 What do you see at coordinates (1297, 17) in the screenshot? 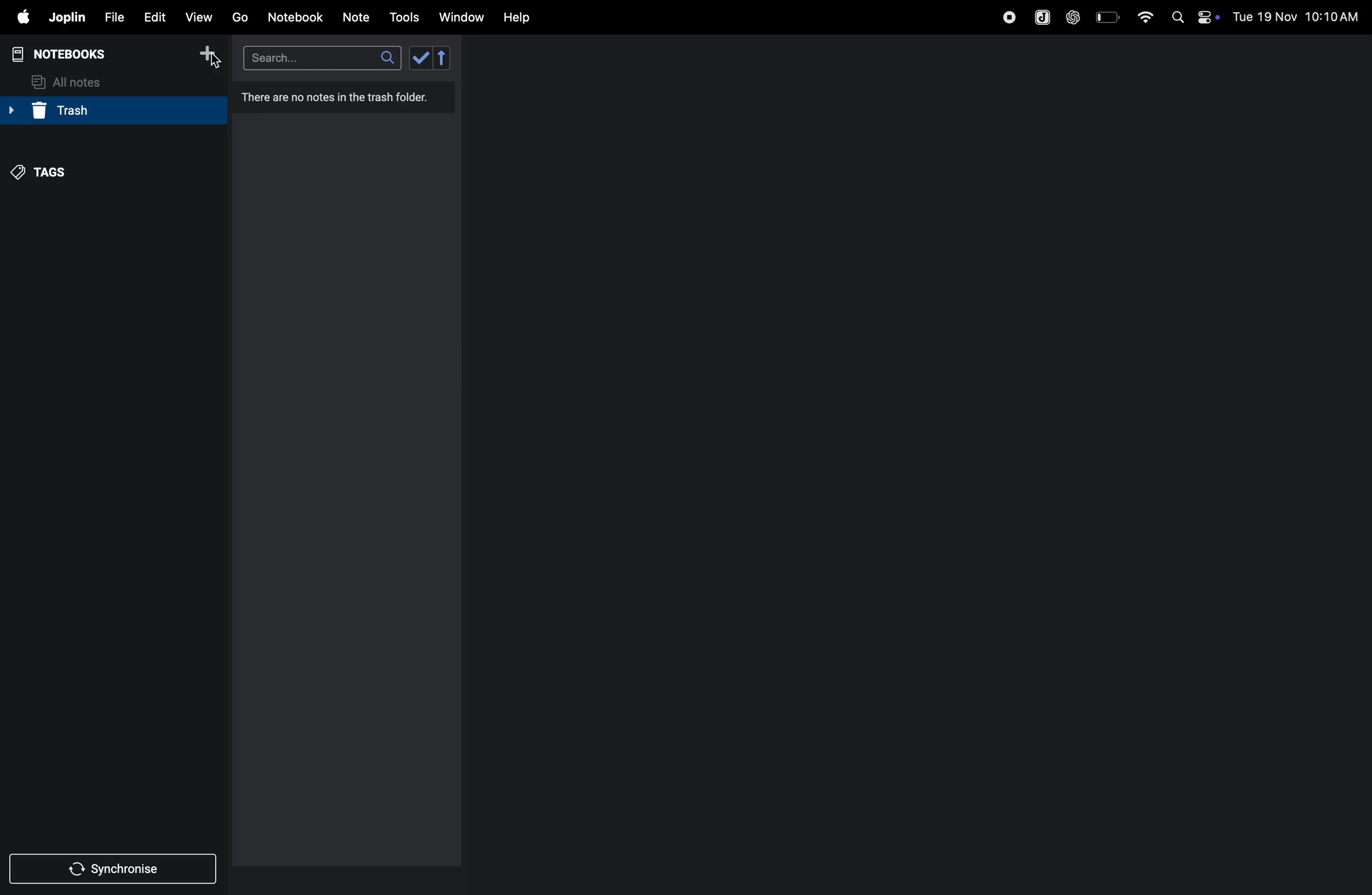
I see `Tue 19 Nov 10:10 AM(date and time)` at bounding box center [1297, 17].